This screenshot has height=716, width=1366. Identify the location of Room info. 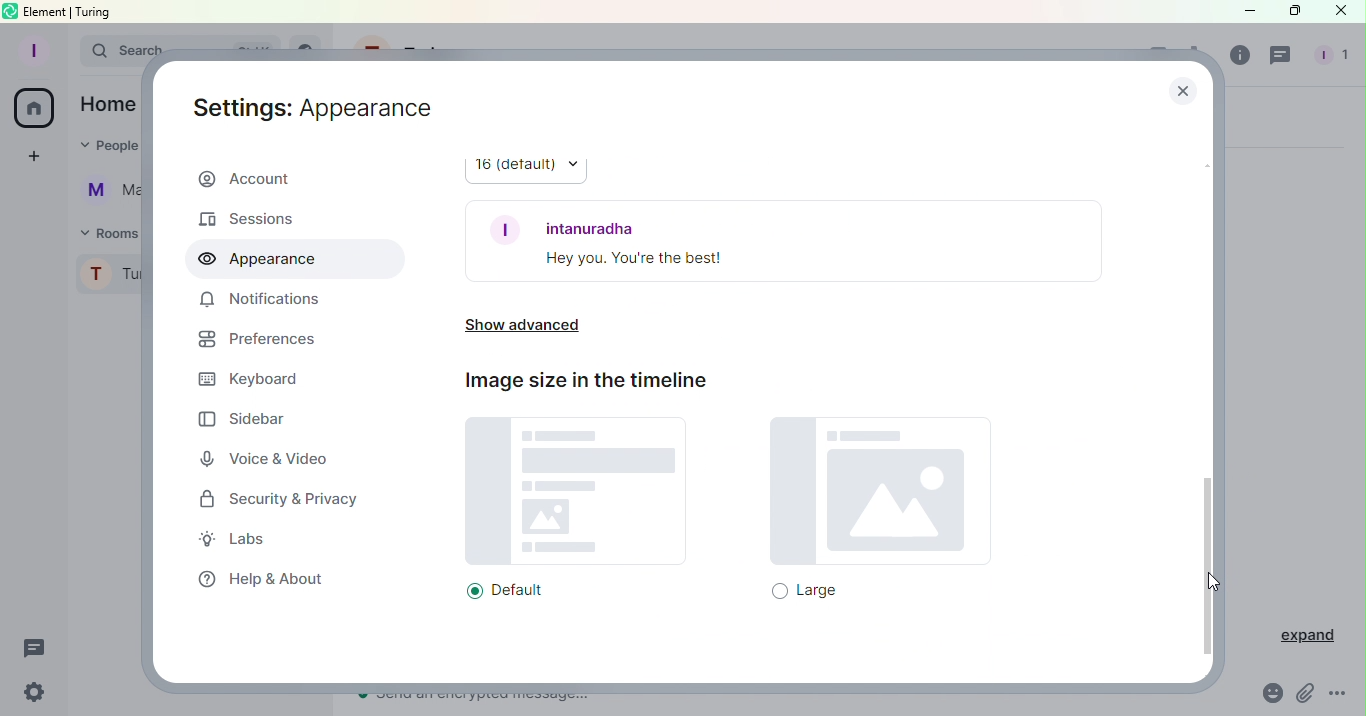
(1239, 54).